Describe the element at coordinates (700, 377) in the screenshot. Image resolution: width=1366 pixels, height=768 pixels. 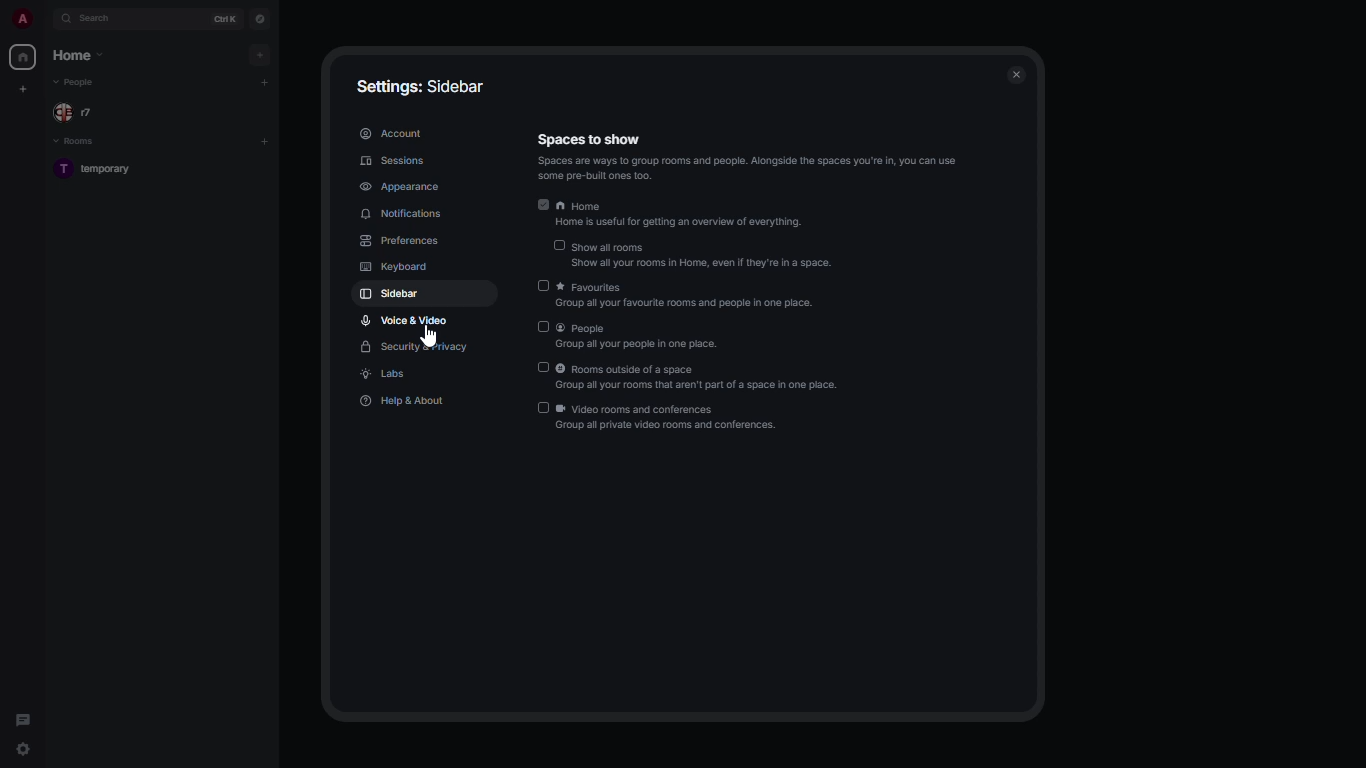
I see `rooms outside of a space` at that location.